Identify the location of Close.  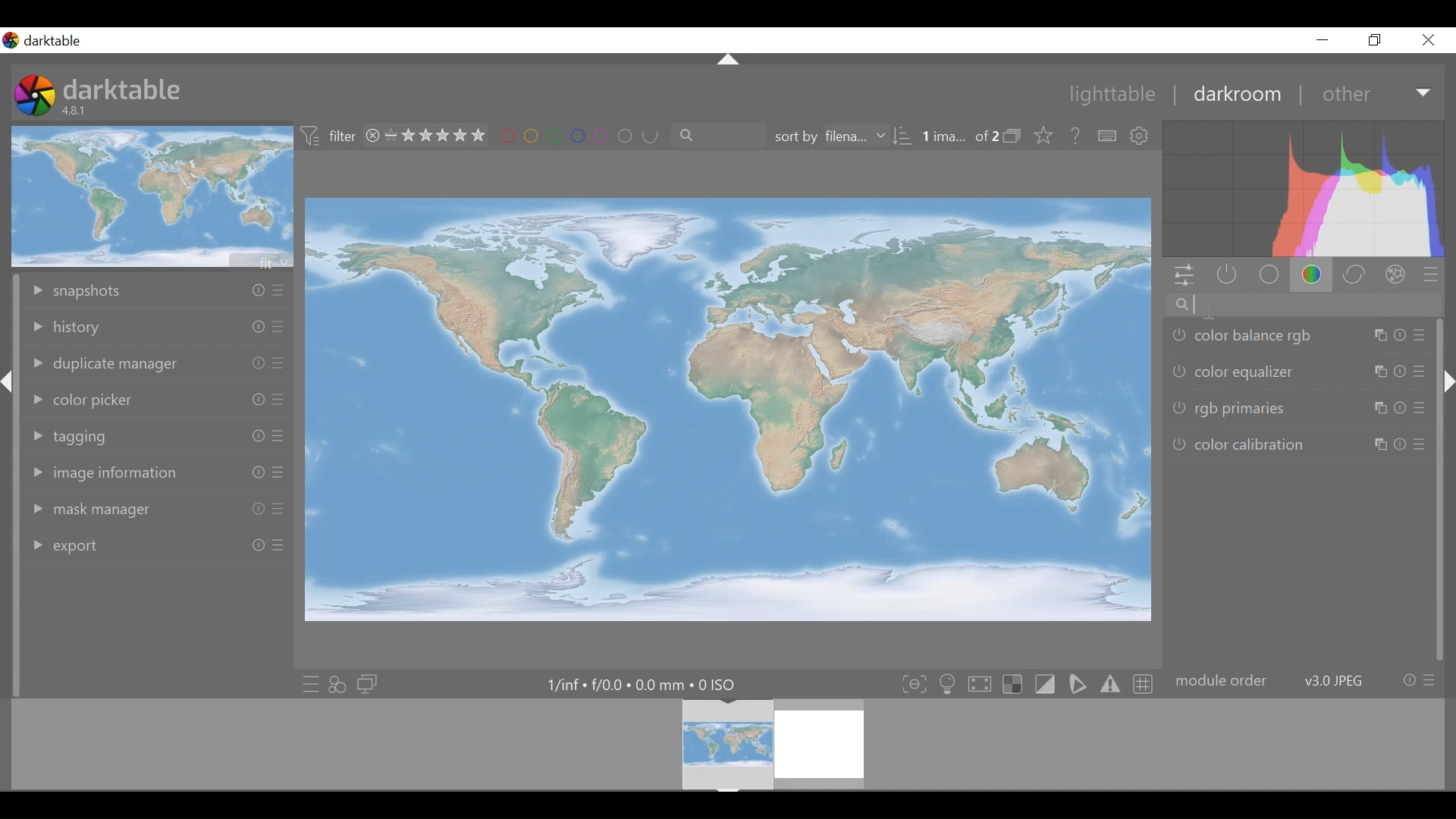
(1427, 39).